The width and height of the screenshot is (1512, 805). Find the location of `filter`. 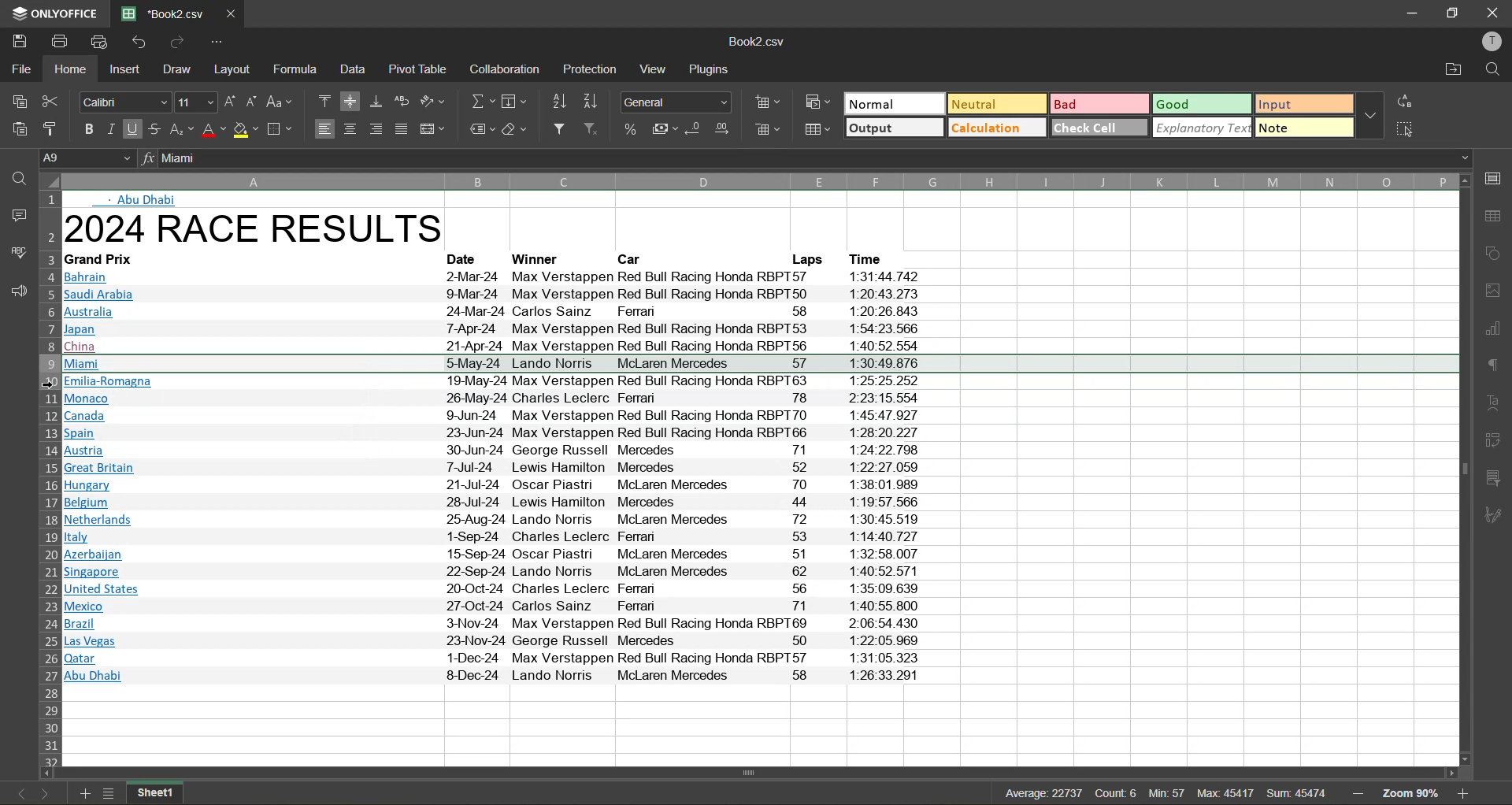

filter is located at coordinates (558, 130).